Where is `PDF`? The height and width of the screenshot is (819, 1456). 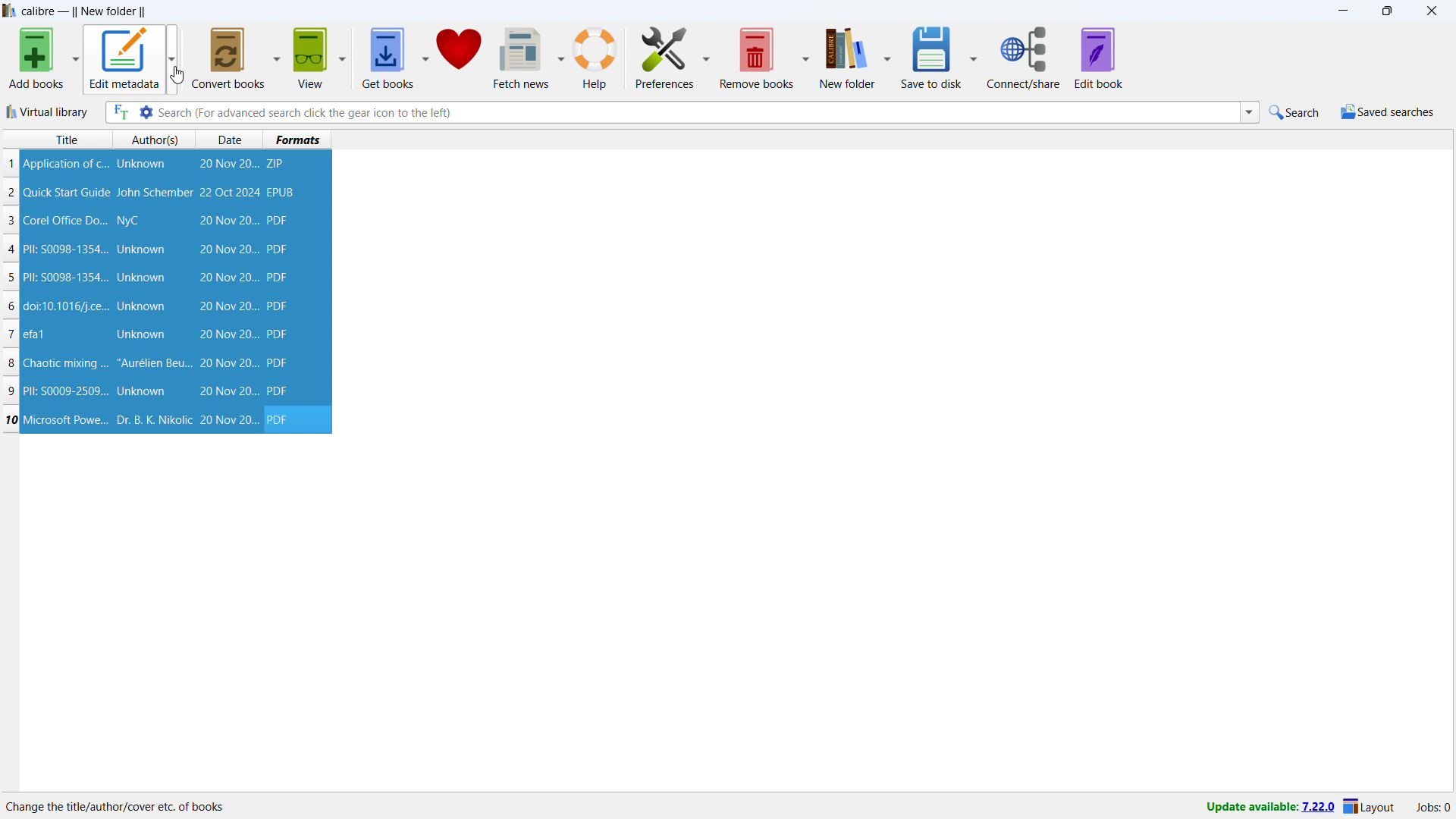
PDF is located at coordinates (278, 334).